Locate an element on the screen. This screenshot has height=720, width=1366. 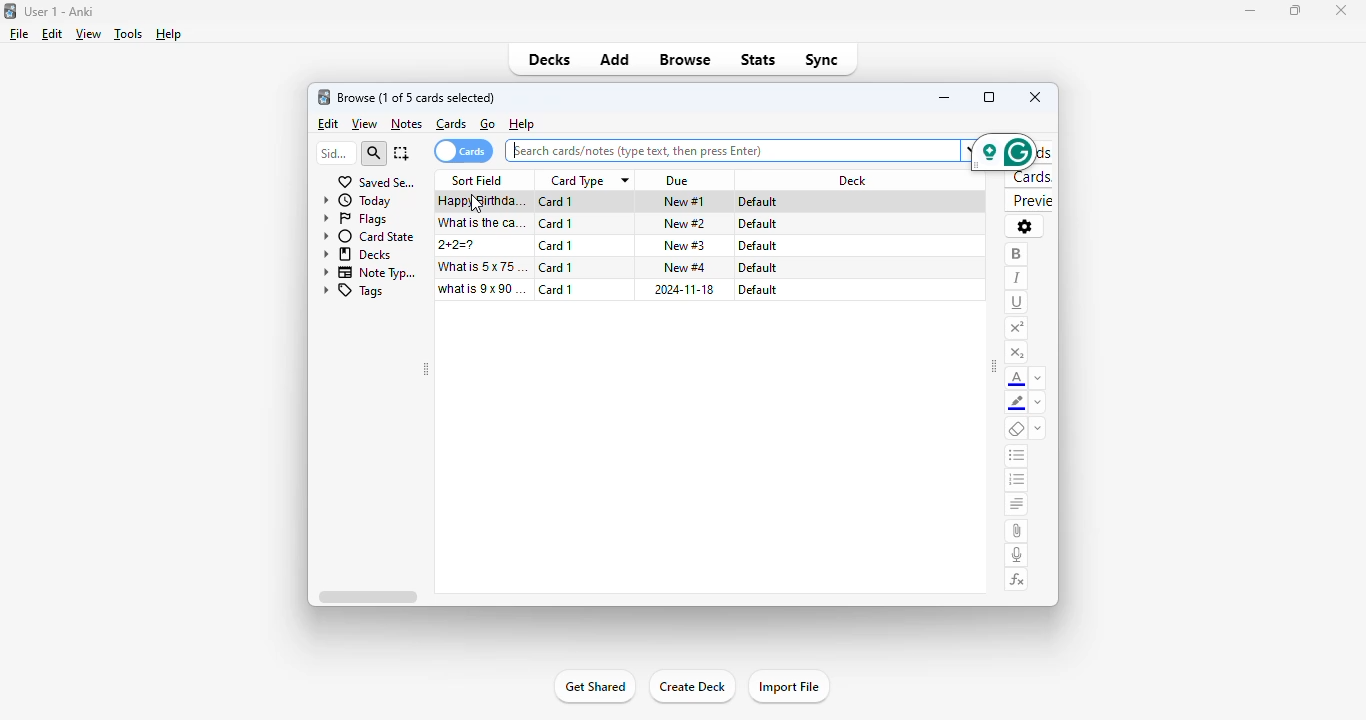
options is located at coordinates (1024, 226).